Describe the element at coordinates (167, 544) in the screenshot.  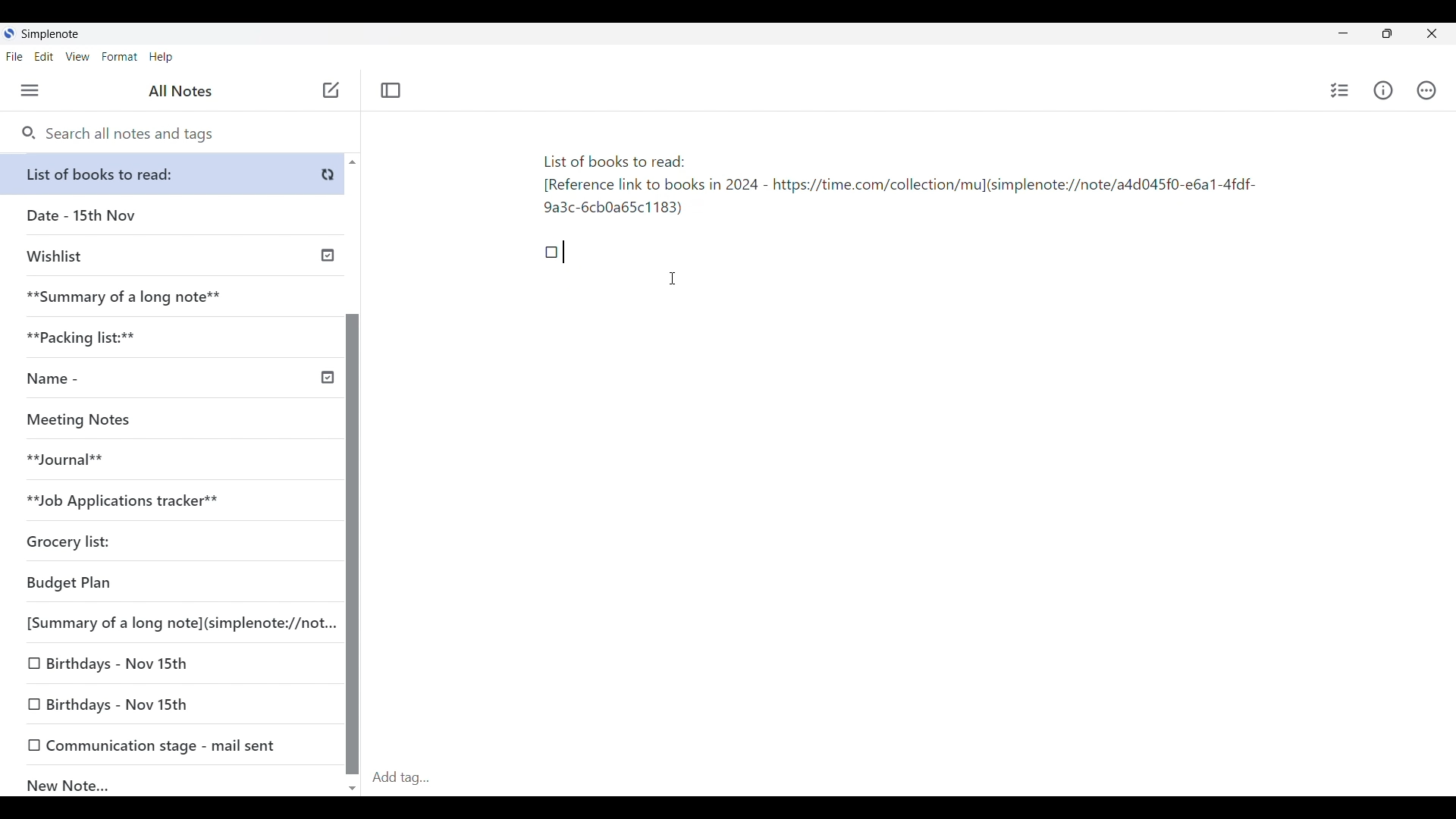
I see `Grocery list:` at that location.